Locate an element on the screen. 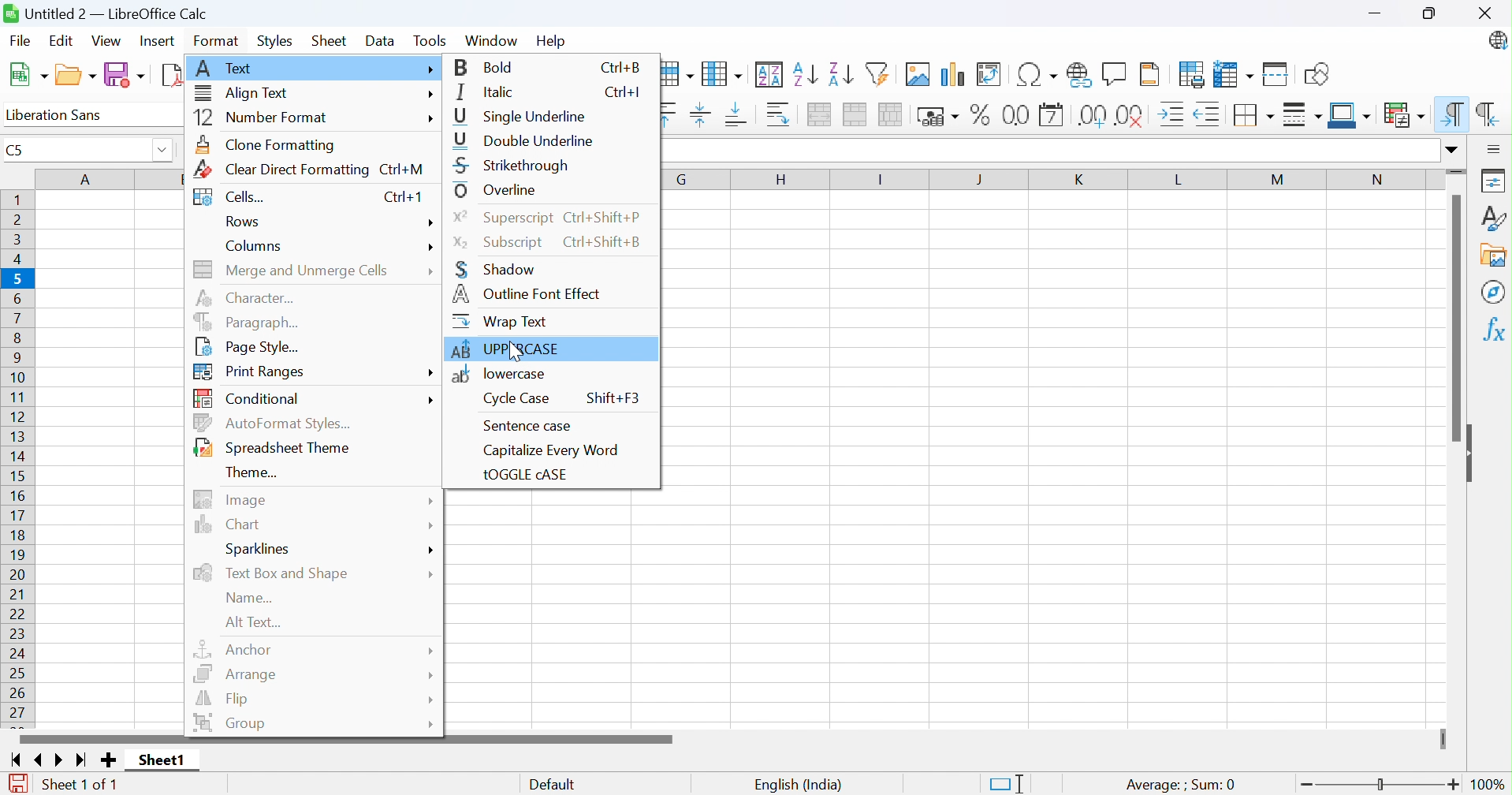 This screenshot has width=1512, height=795. Unmerge cells is located at coordinates (892, 115).